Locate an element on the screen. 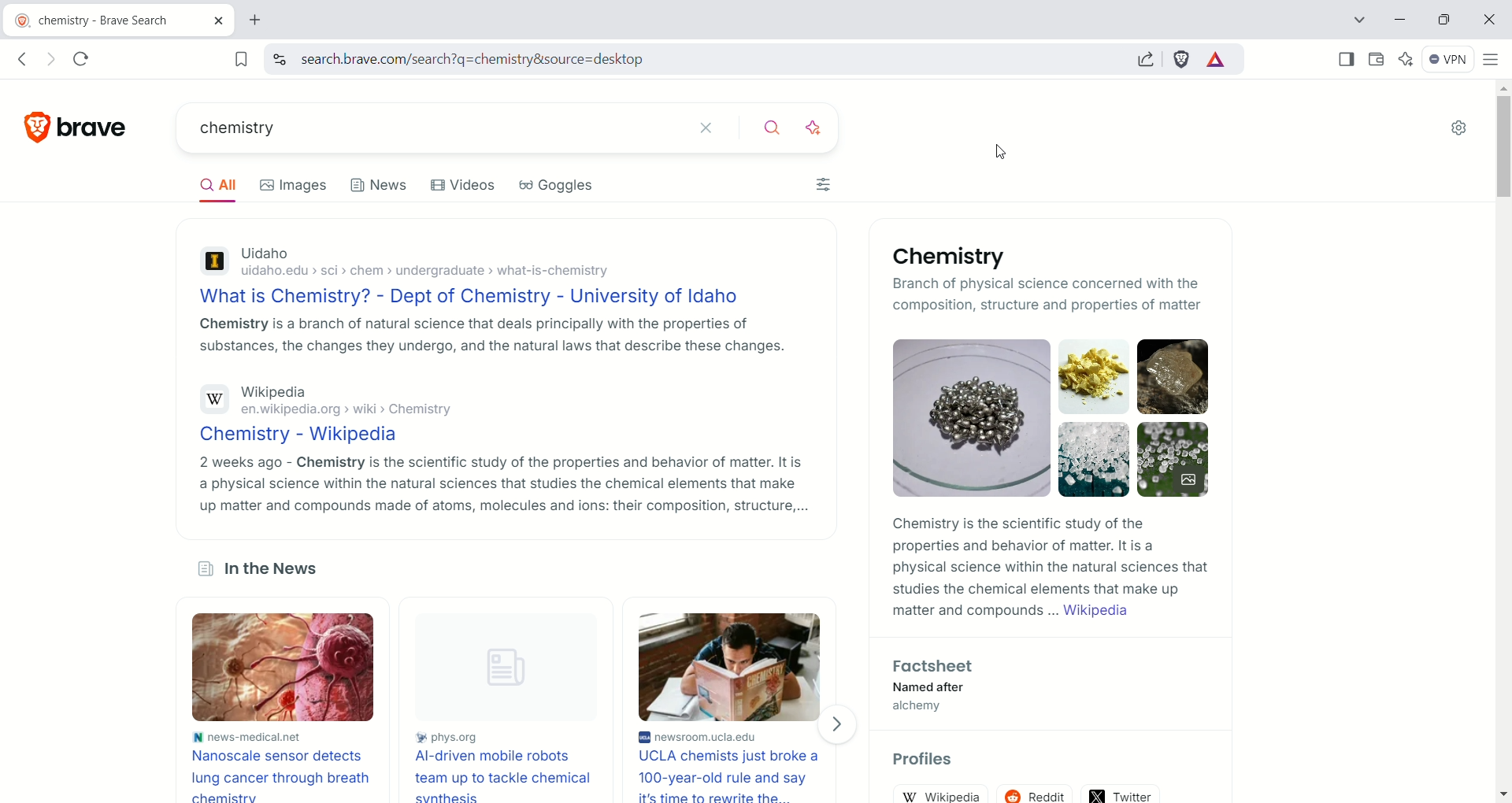 Image resolution: width=1512 pixels, height=803 pixels. next is located at coordinates (843, 722).